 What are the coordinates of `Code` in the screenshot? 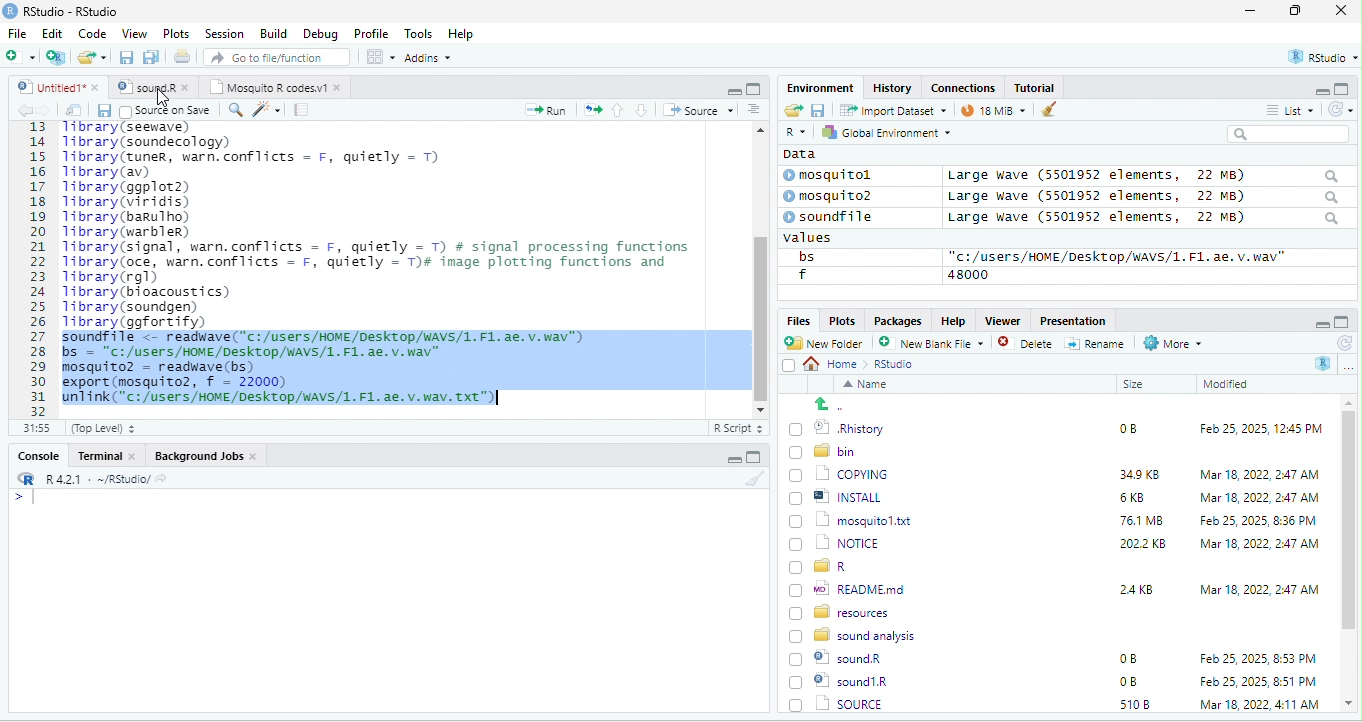 It's located at (93, 33).